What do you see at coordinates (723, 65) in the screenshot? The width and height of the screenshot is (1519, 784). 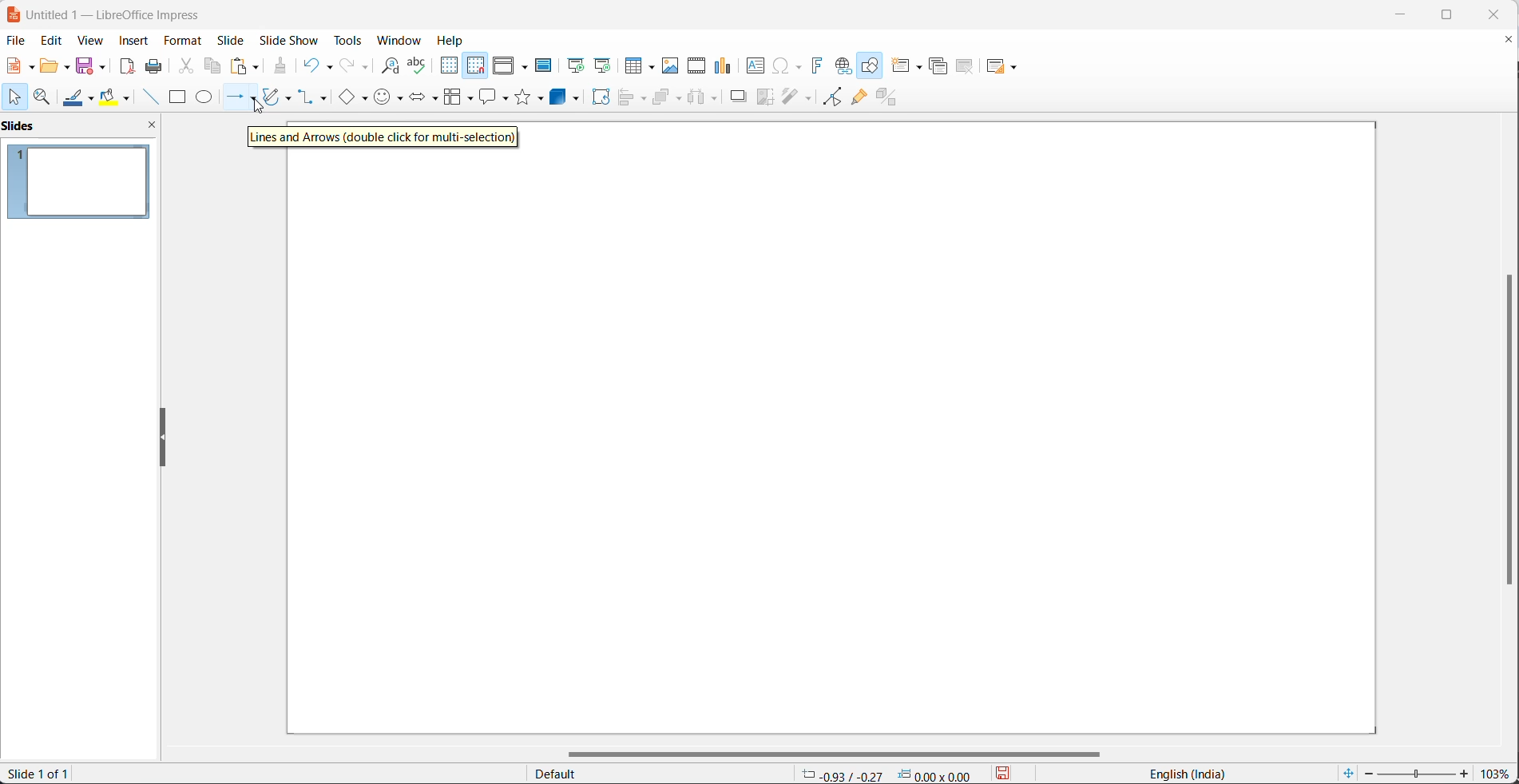 I see `insert chart` at bounding box center [723, 65].